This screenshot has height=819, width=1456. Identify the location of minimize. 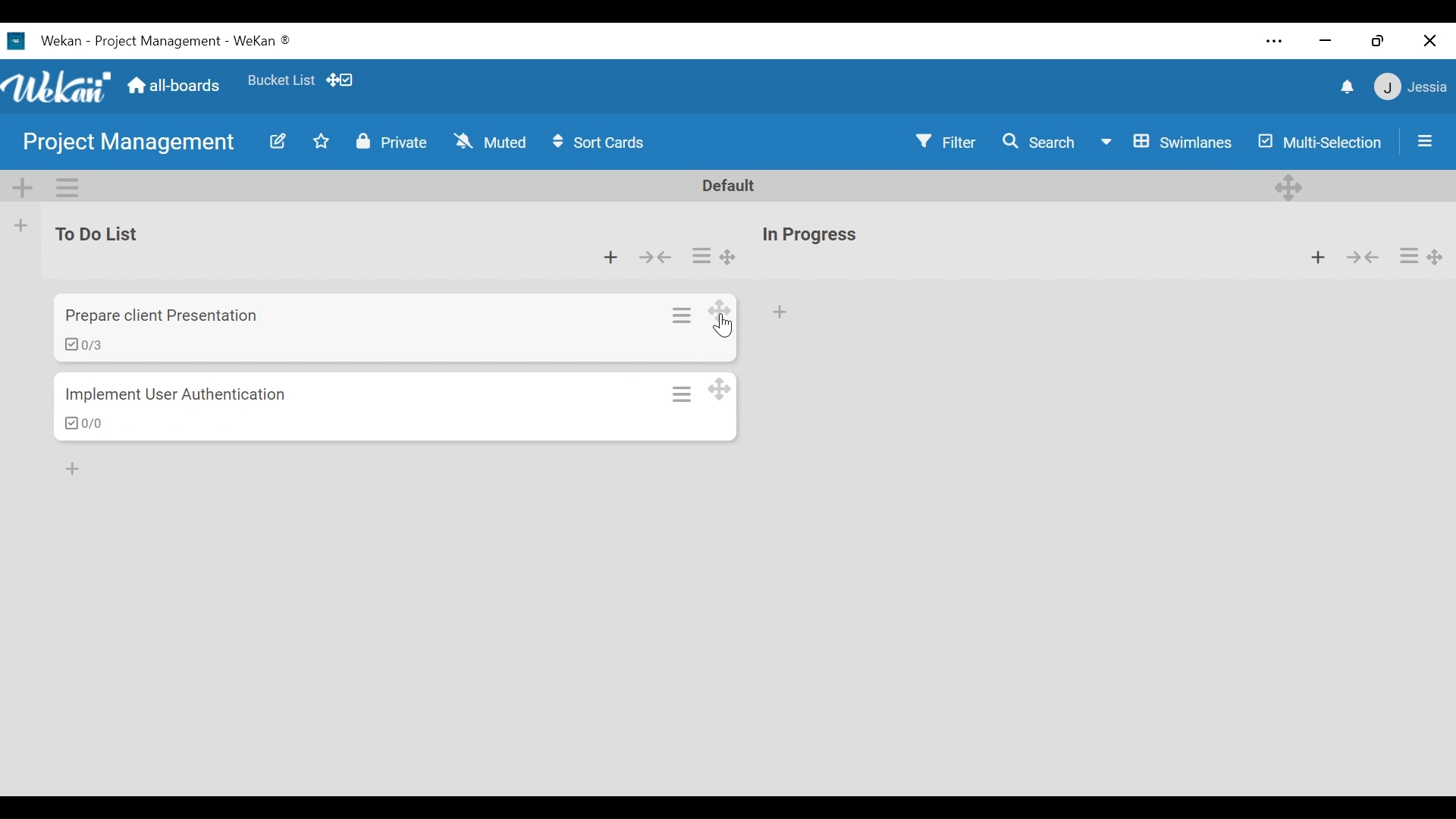
(1326, 40).